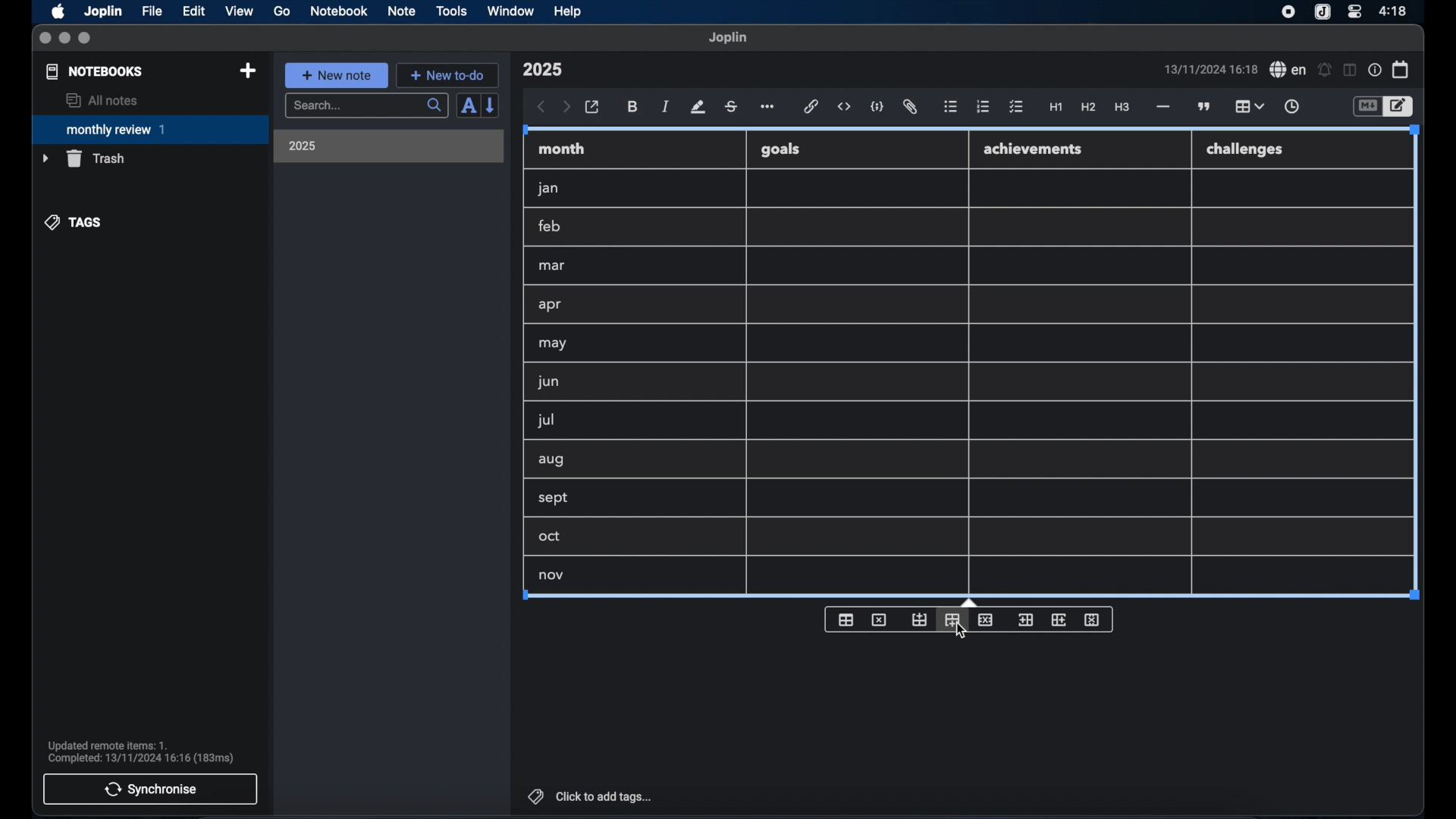 Image resolution: width=1456 pixels, height=819 pixels. I want to click on new note, so click(336, 75).